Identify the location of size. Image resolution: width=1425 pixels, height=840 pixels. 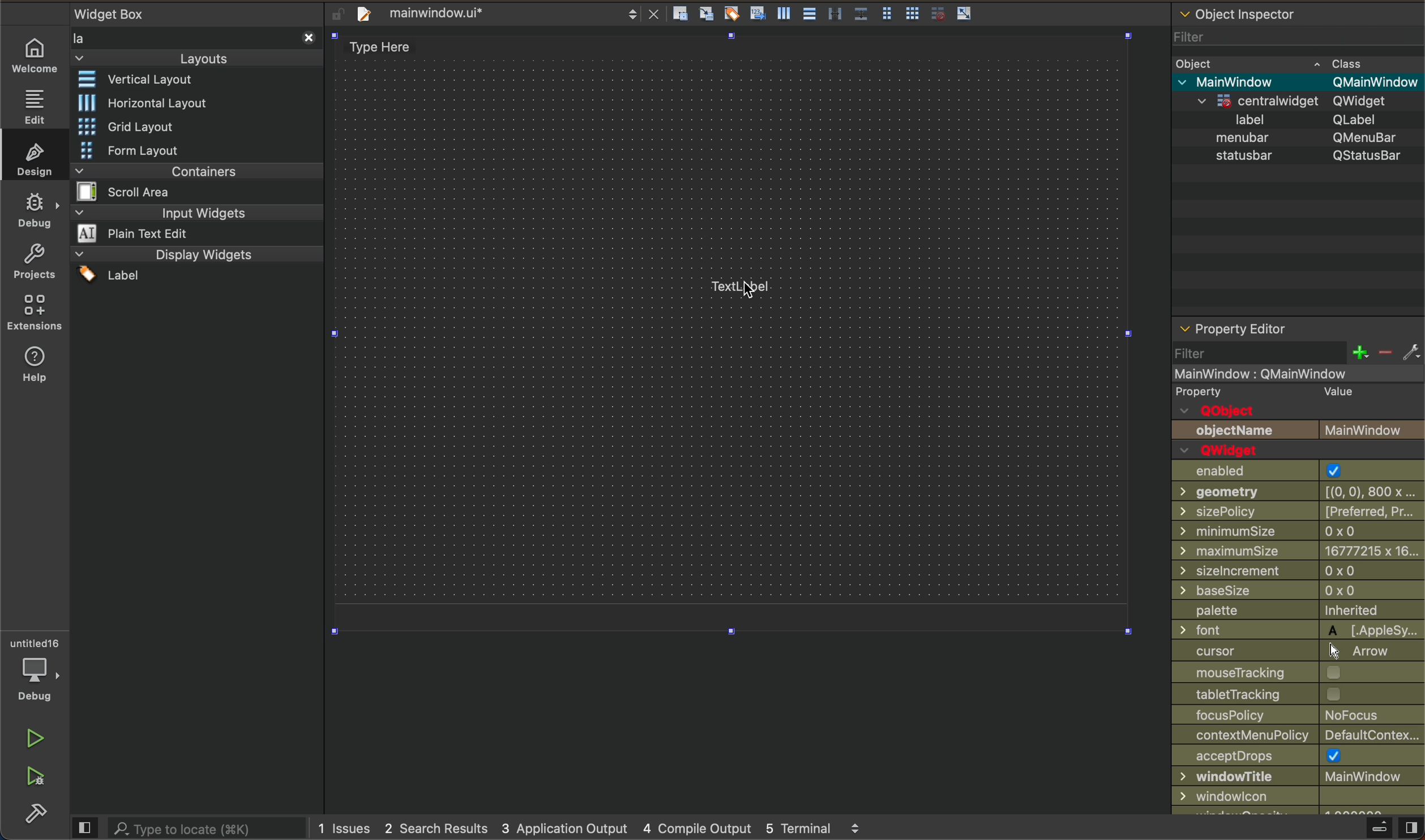
(1287, 533).